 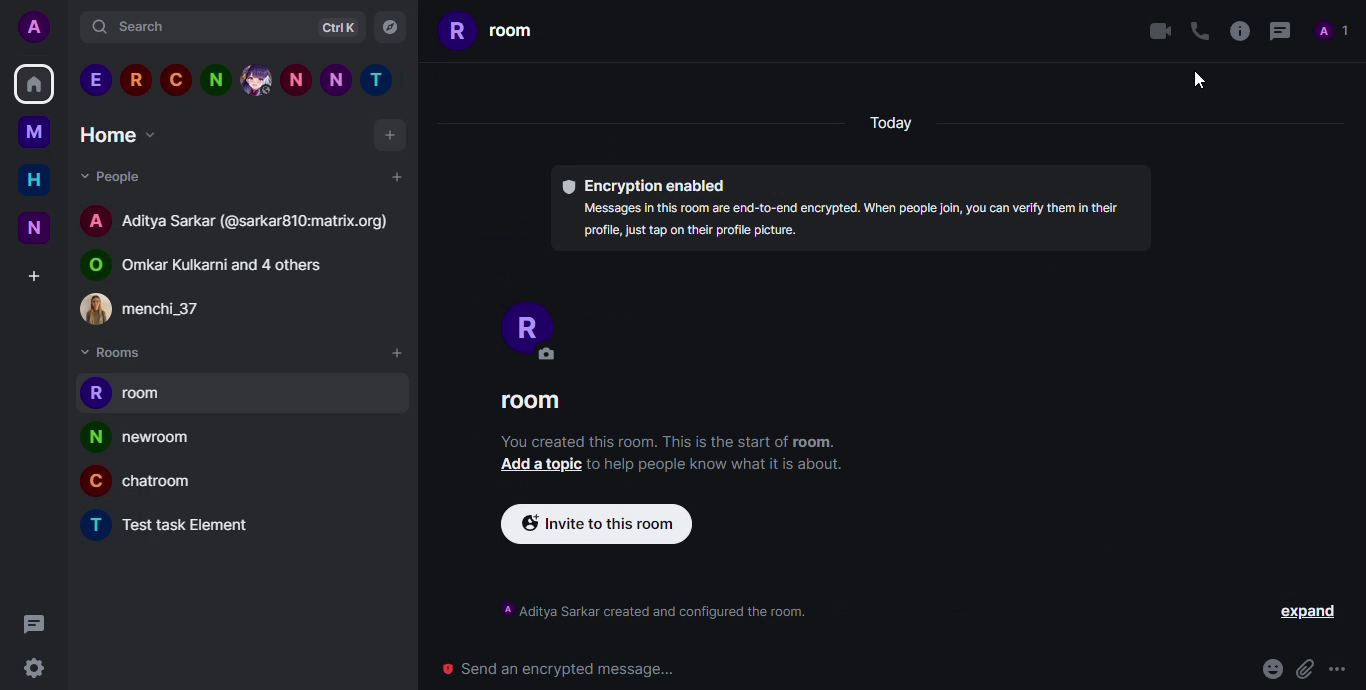 What do you see at coordinates (215, 79) in the screenshot?
I see `people 4` at bounding box center [215, 79].